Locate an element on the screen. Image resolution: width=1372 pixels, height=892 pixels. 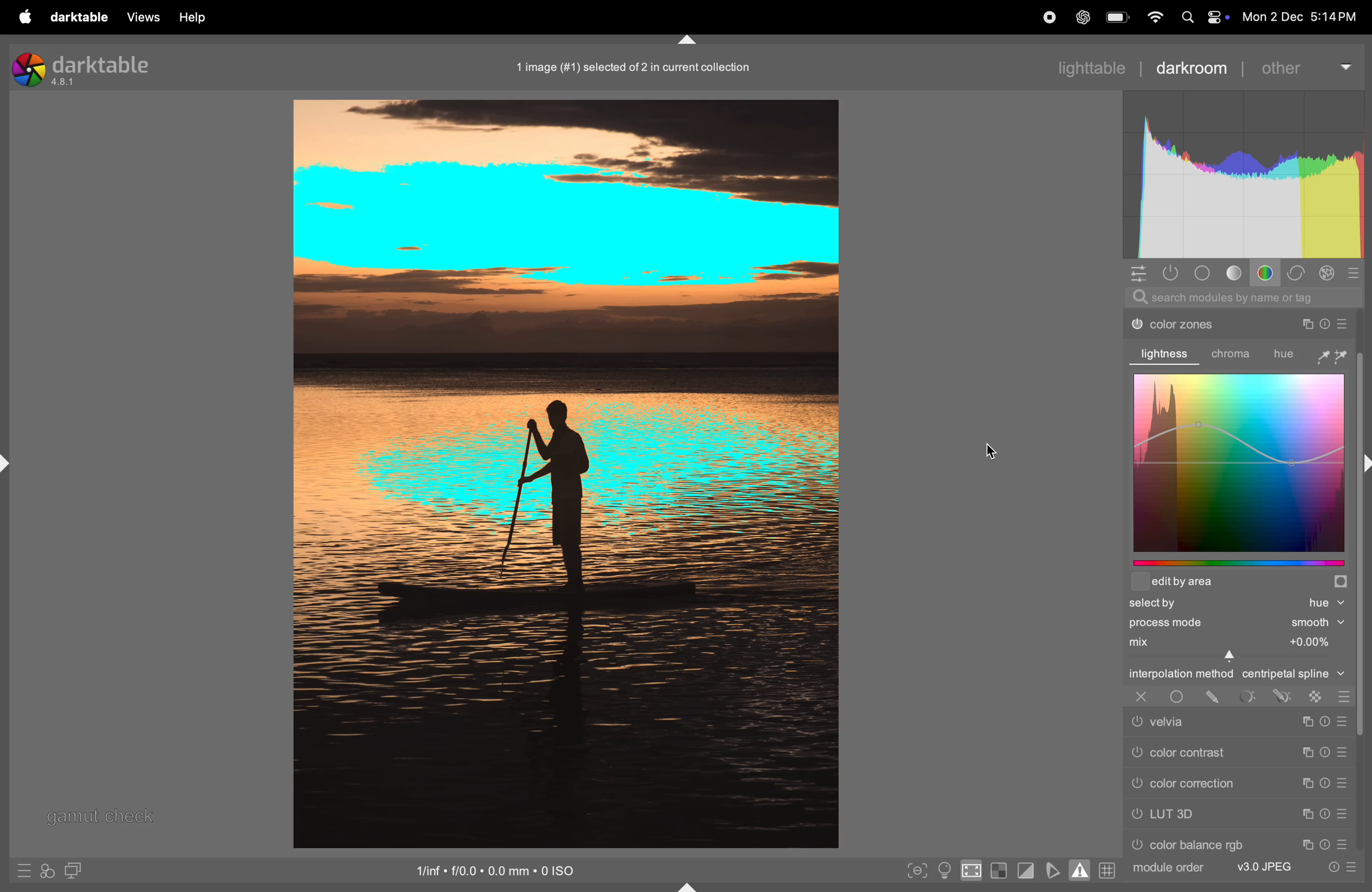
search modules by name or tag is located at coordinates (1243, 297).